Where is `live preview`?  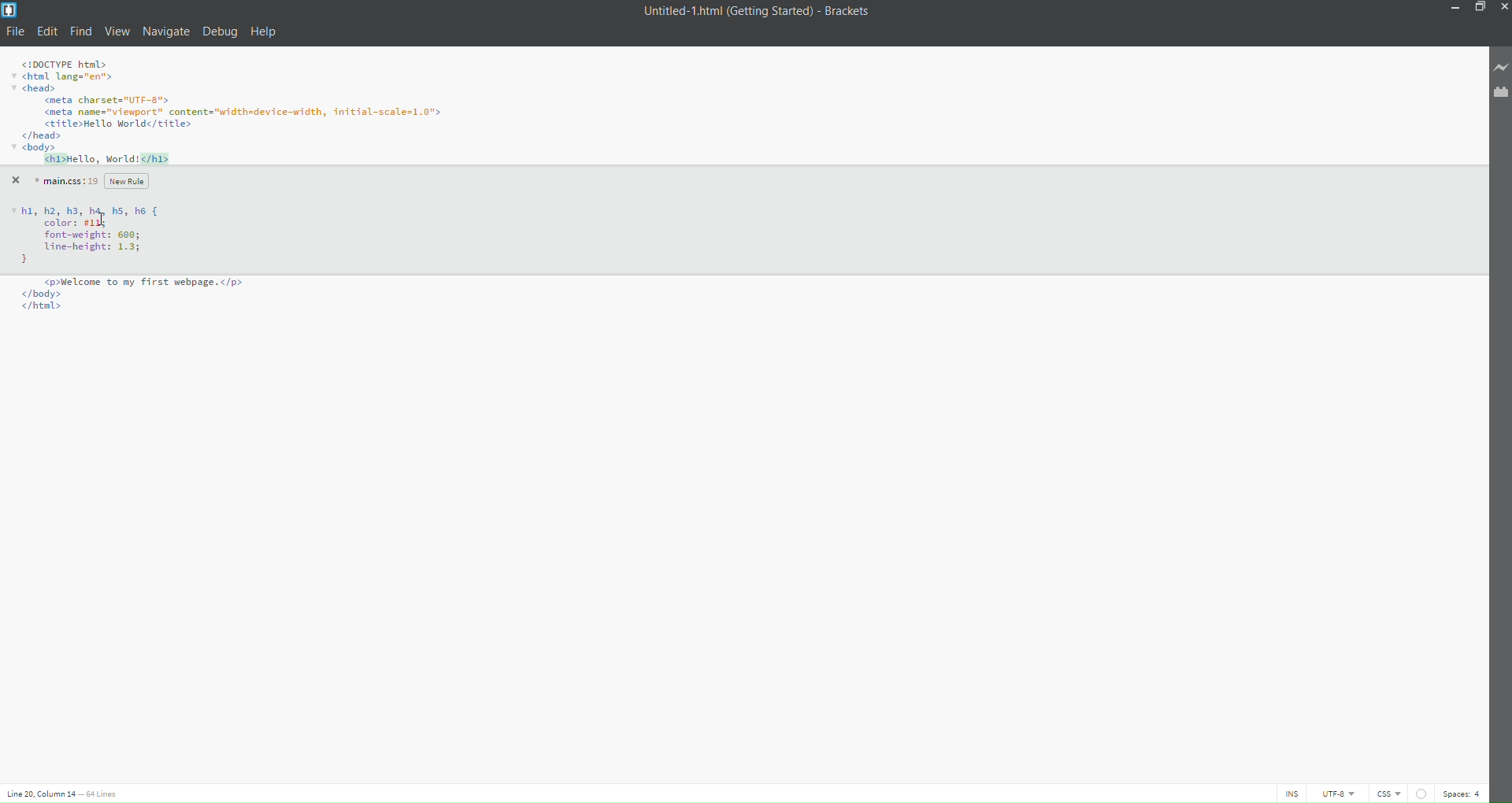 live preview is located at coordinates (1497, 68).